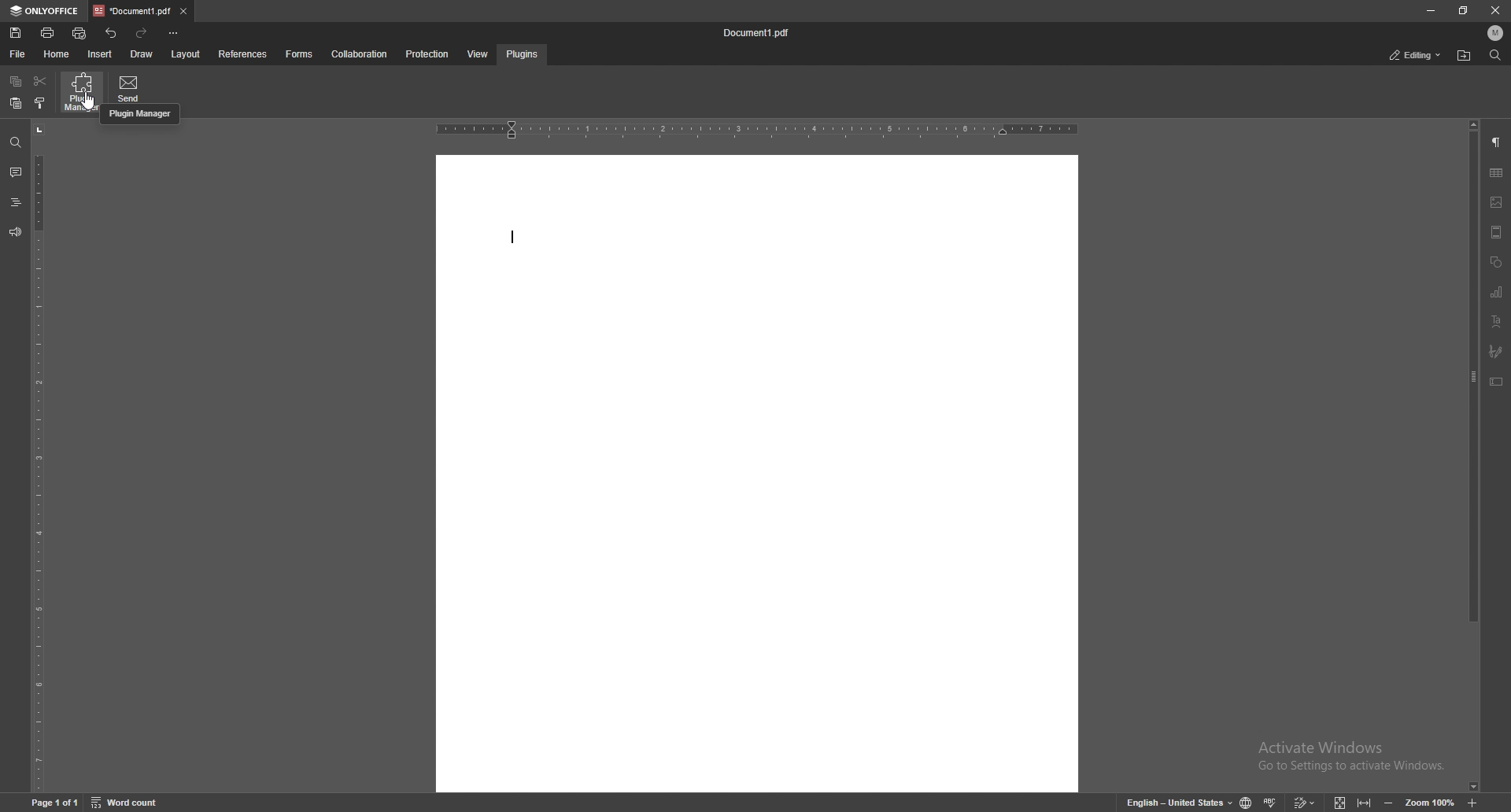 The image size is (1511, 812). Describe the element at coordinates (1275, 803) in the screenshot. I see `spell check` at that location.